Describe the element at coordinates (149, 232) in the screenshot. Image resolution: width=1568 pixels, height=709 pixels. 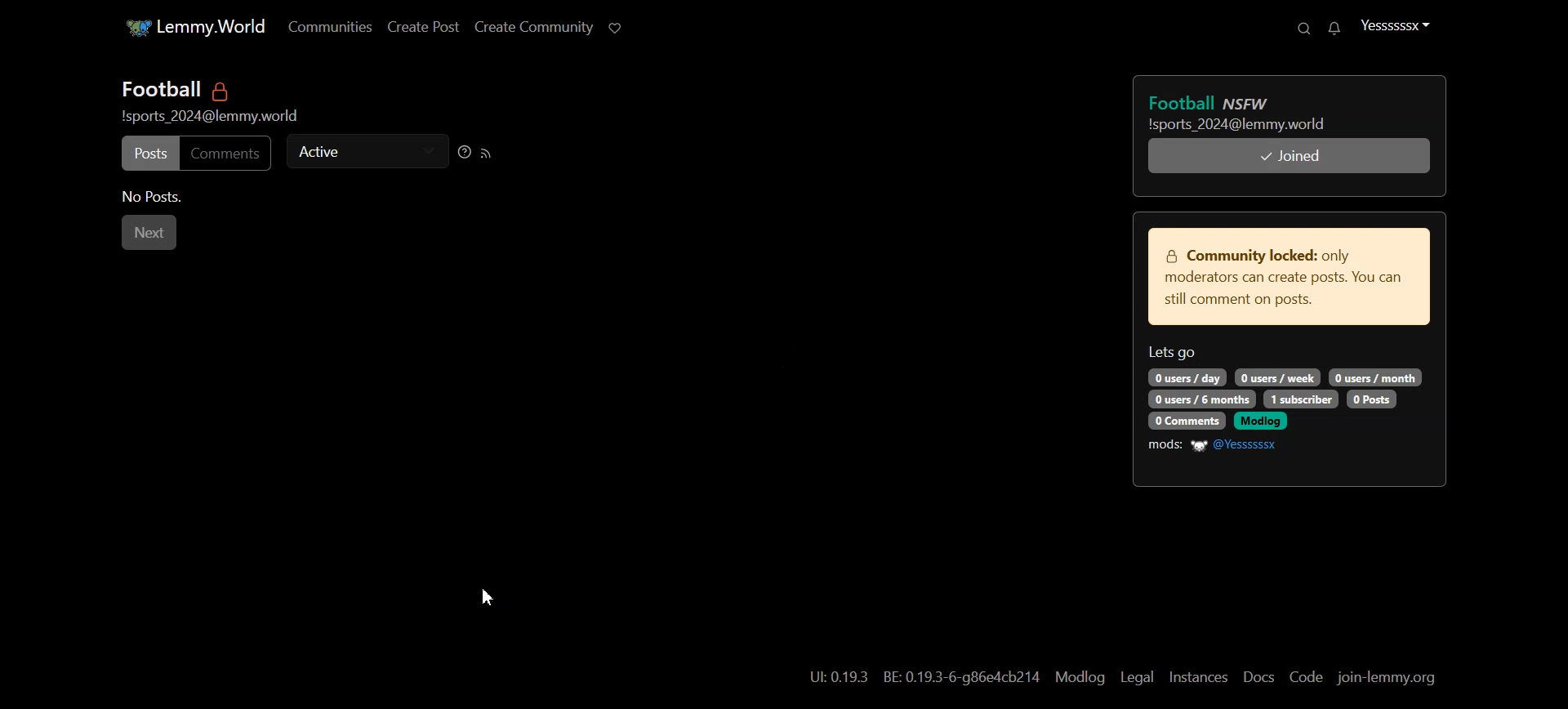
I see `Next` at that location.